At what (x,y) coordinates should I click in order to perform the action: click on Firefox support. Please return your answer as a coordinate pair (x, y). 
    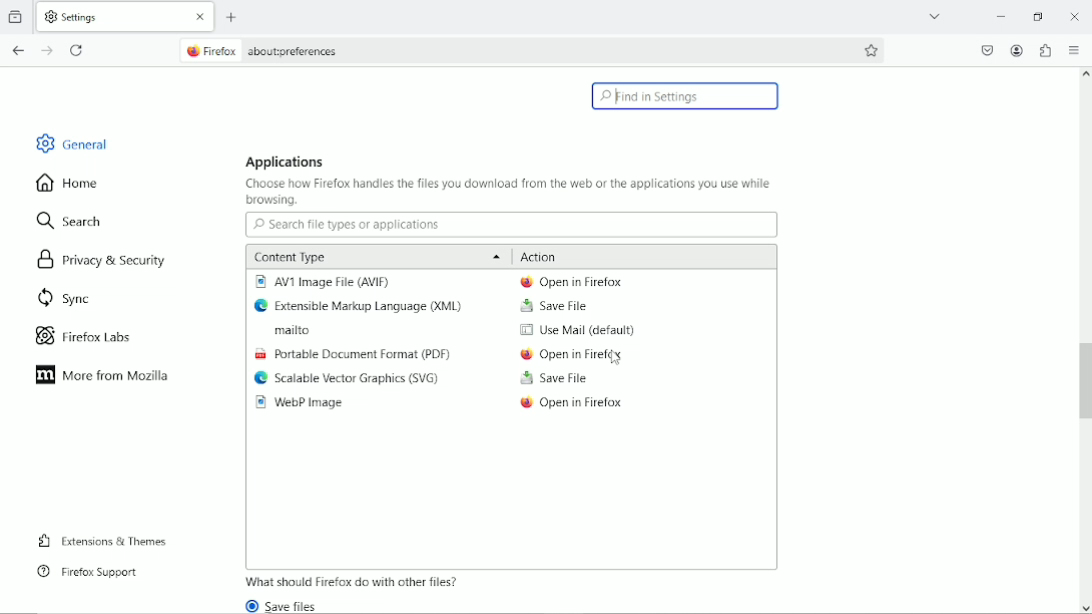
    Looking at the image, I should click on (87, 572).